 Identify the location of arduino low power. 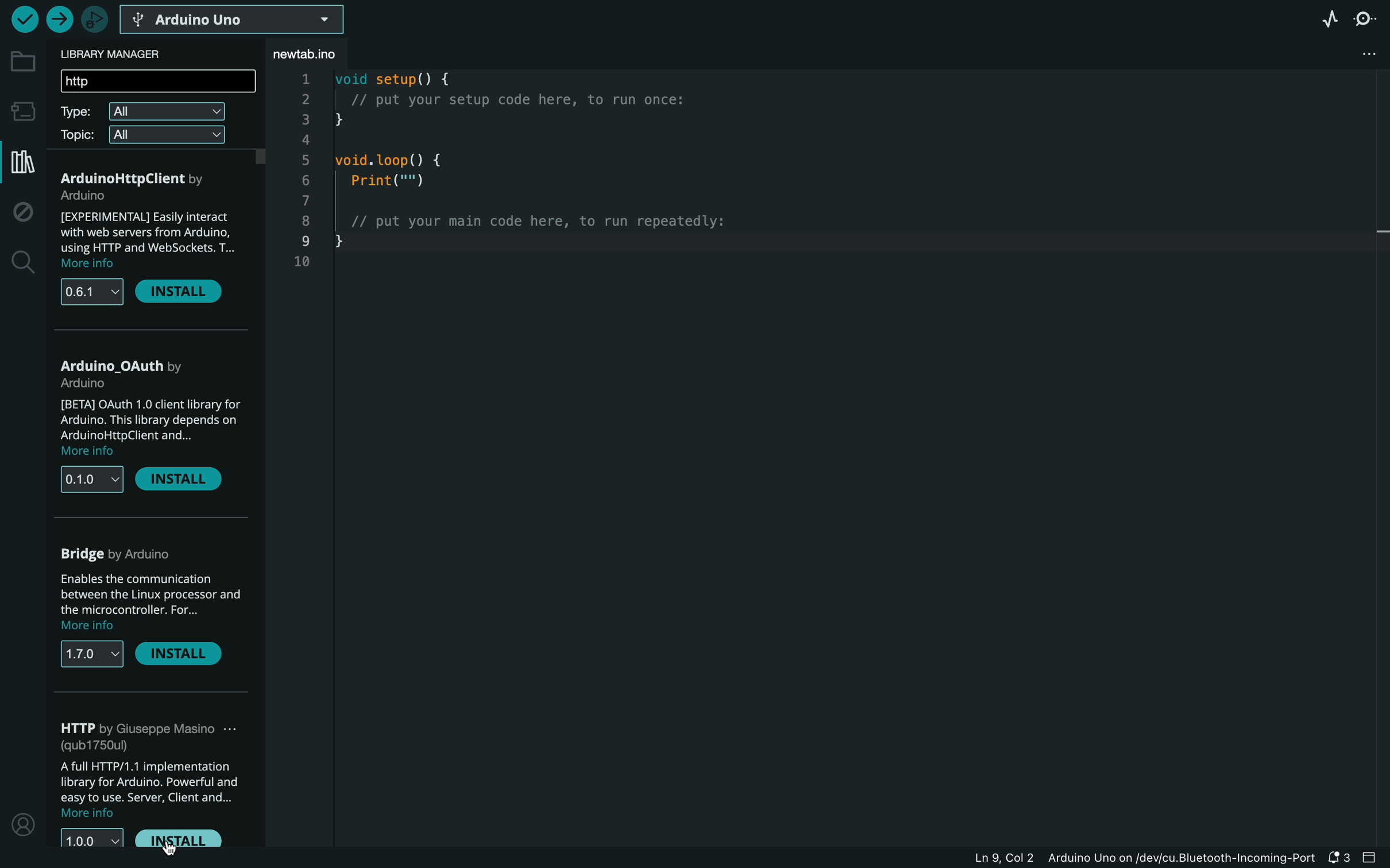
(147, 734).